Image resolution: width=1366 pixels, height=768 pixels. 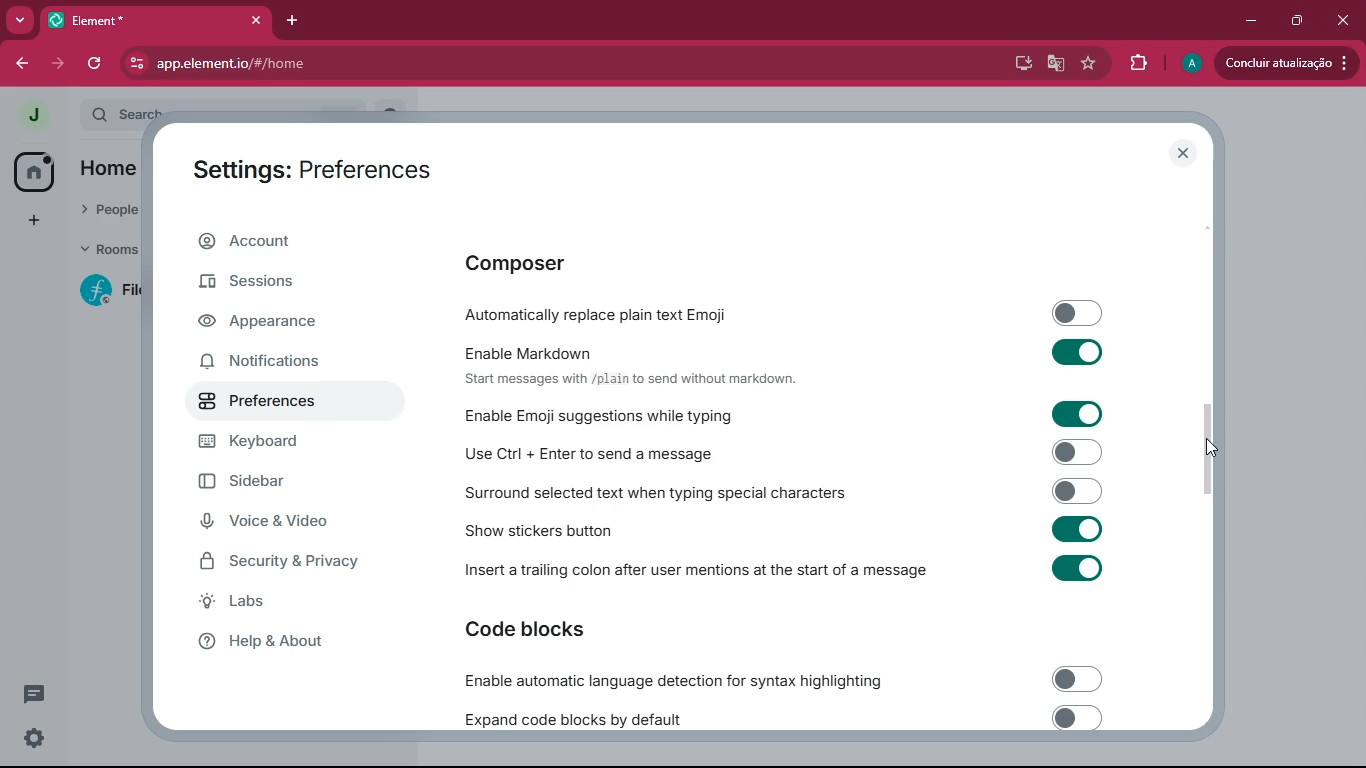 I want to click on google translate, so click(x=1054, y=65).